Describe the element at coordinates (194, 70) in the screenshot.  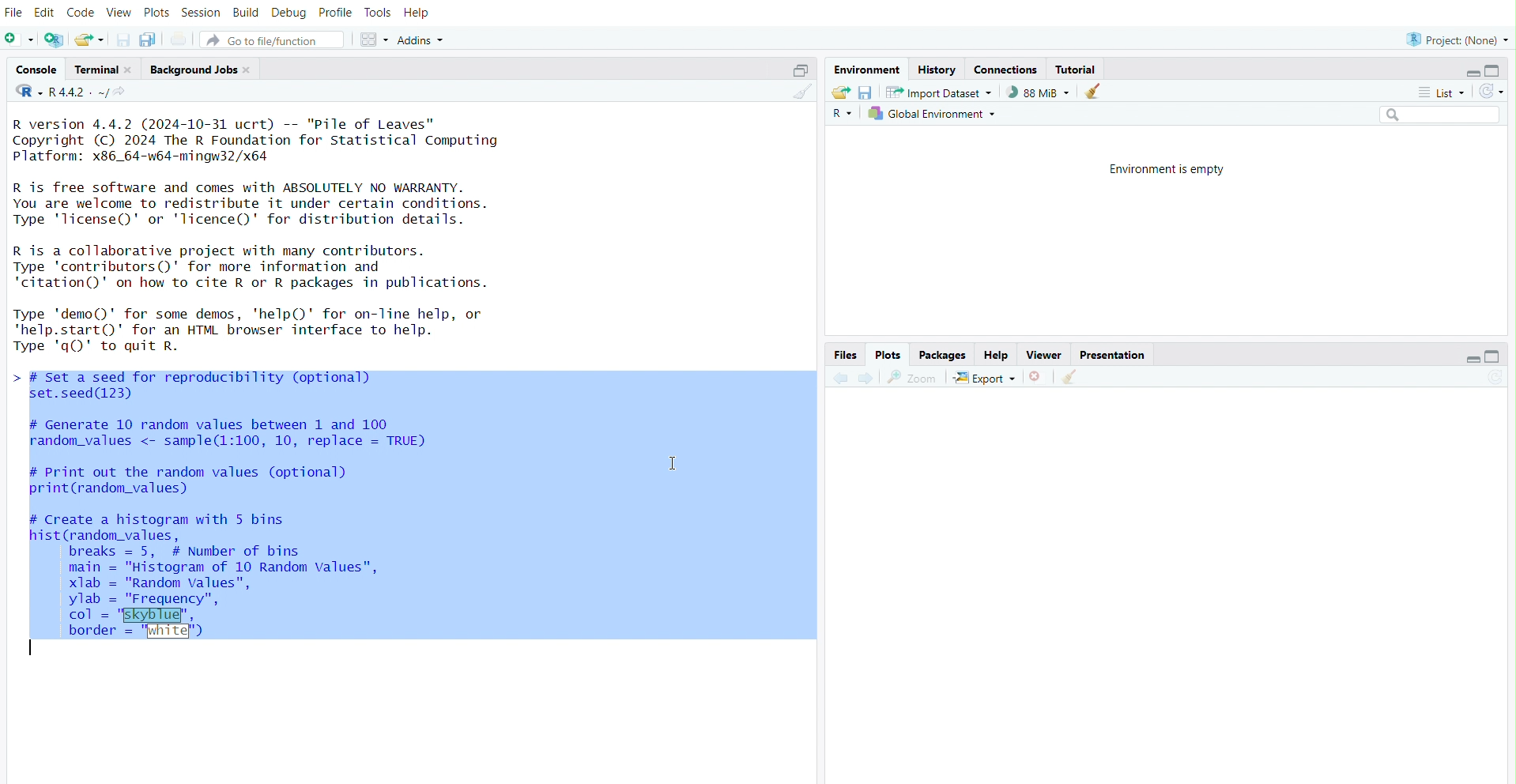
I see `background jobs` at that location.